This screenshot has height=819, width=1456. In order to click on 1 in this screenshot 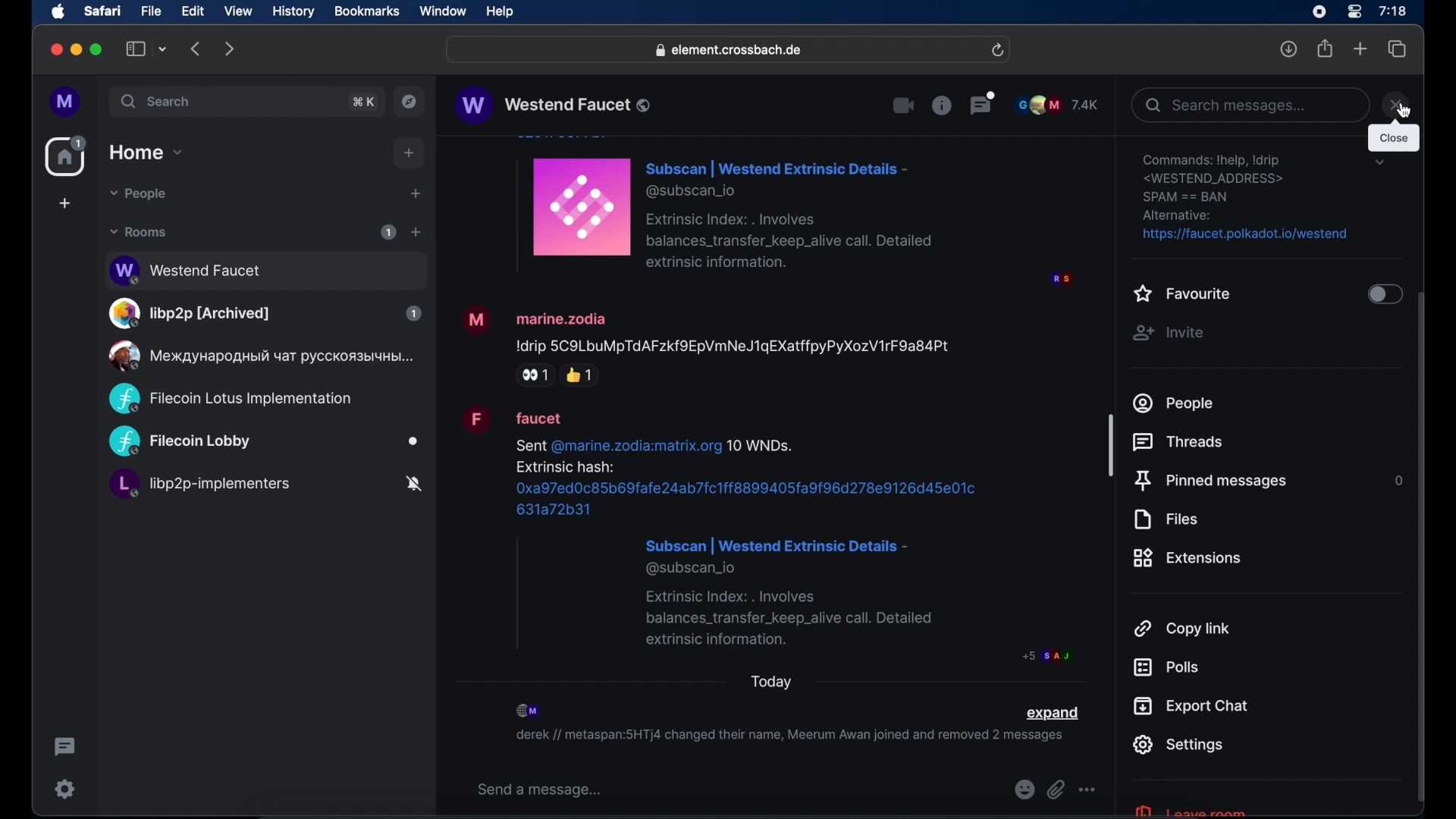, I will do `click(388, 232)`.